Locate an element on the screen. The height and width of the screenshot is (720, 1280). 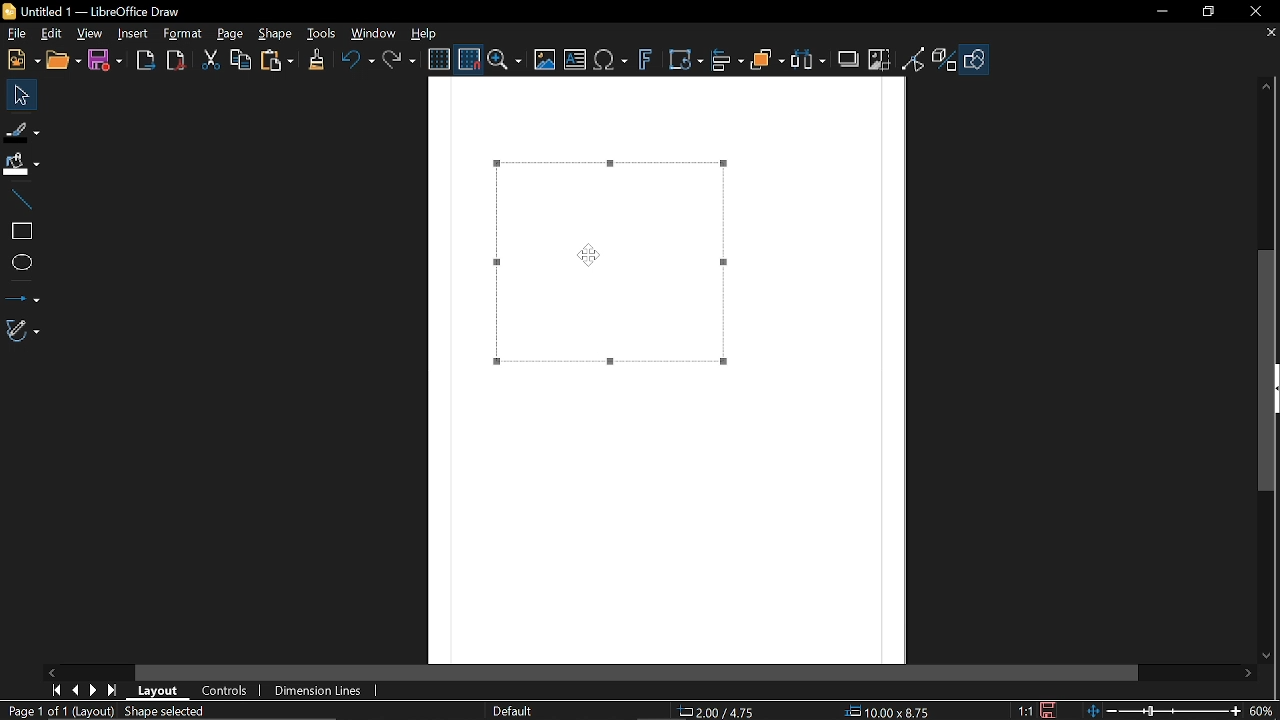
Insert fontwork is located at coordinates (646, 61).